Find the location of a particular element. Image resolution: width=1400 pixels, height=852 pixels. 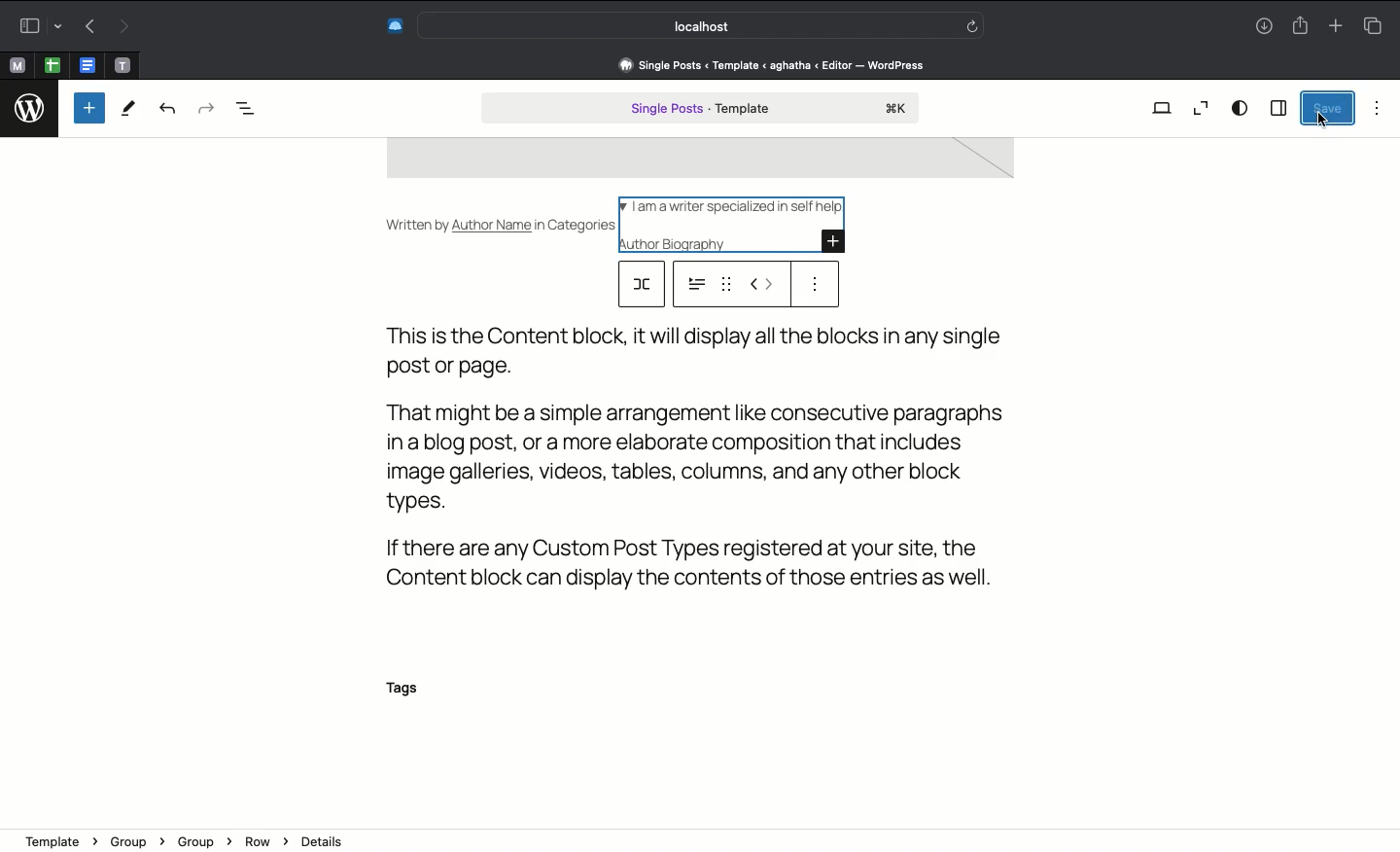

Options is located at coordinates (814, 283).